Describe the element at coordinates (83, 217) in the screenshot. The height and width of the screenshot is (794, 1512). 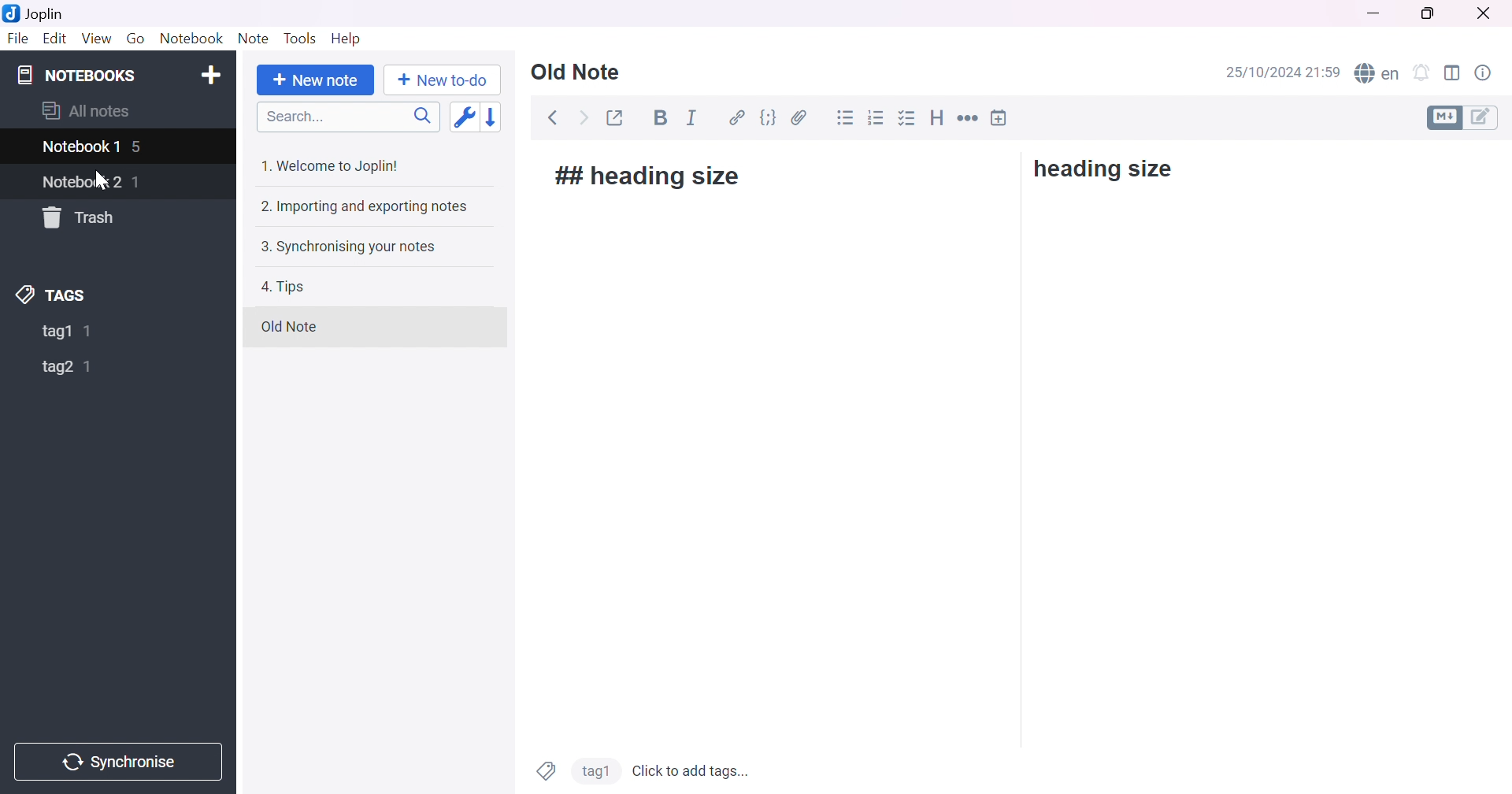
I see `Trash` at that location.